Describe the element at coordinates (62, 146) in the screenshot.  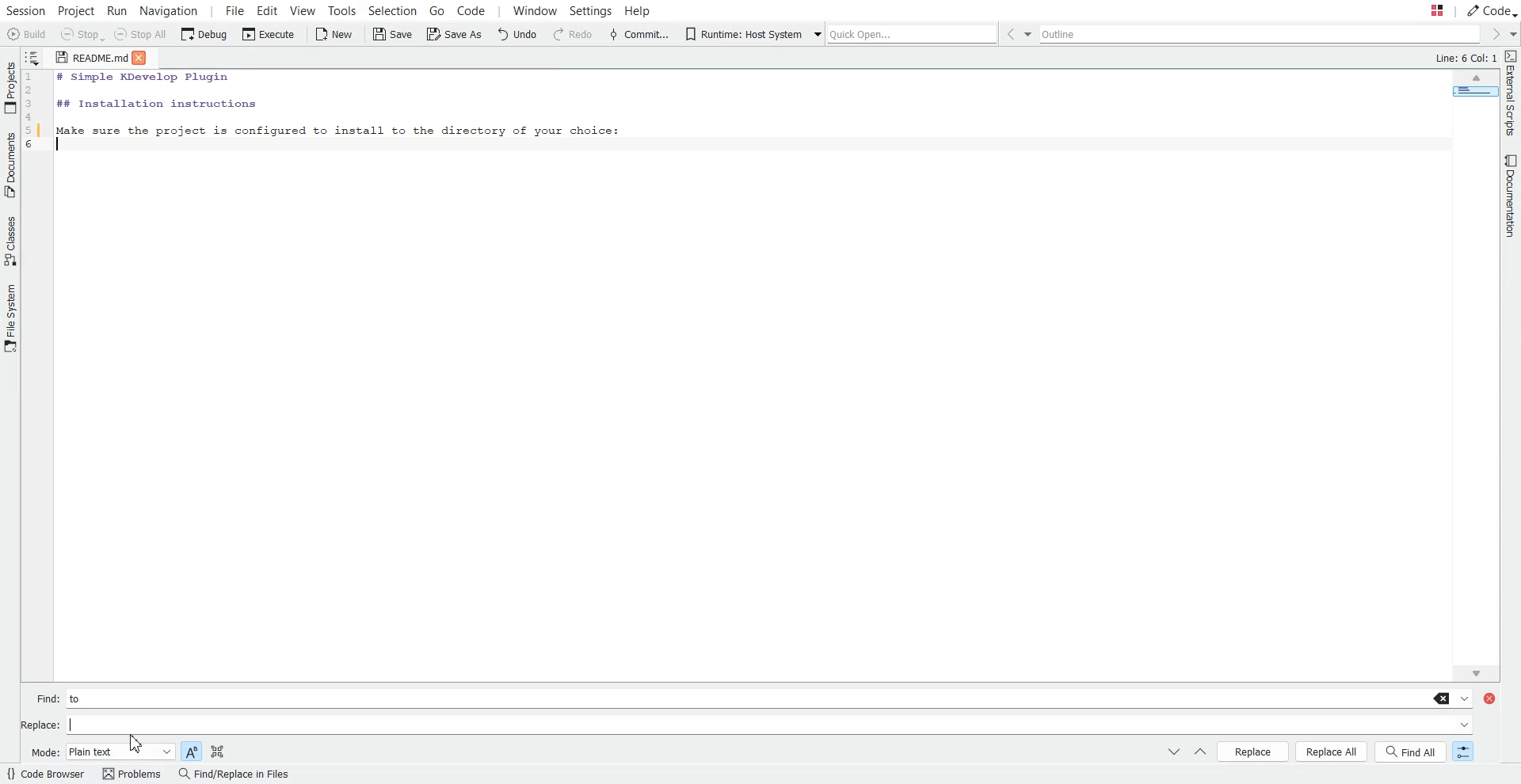
I see `Text Cursor` at that location.